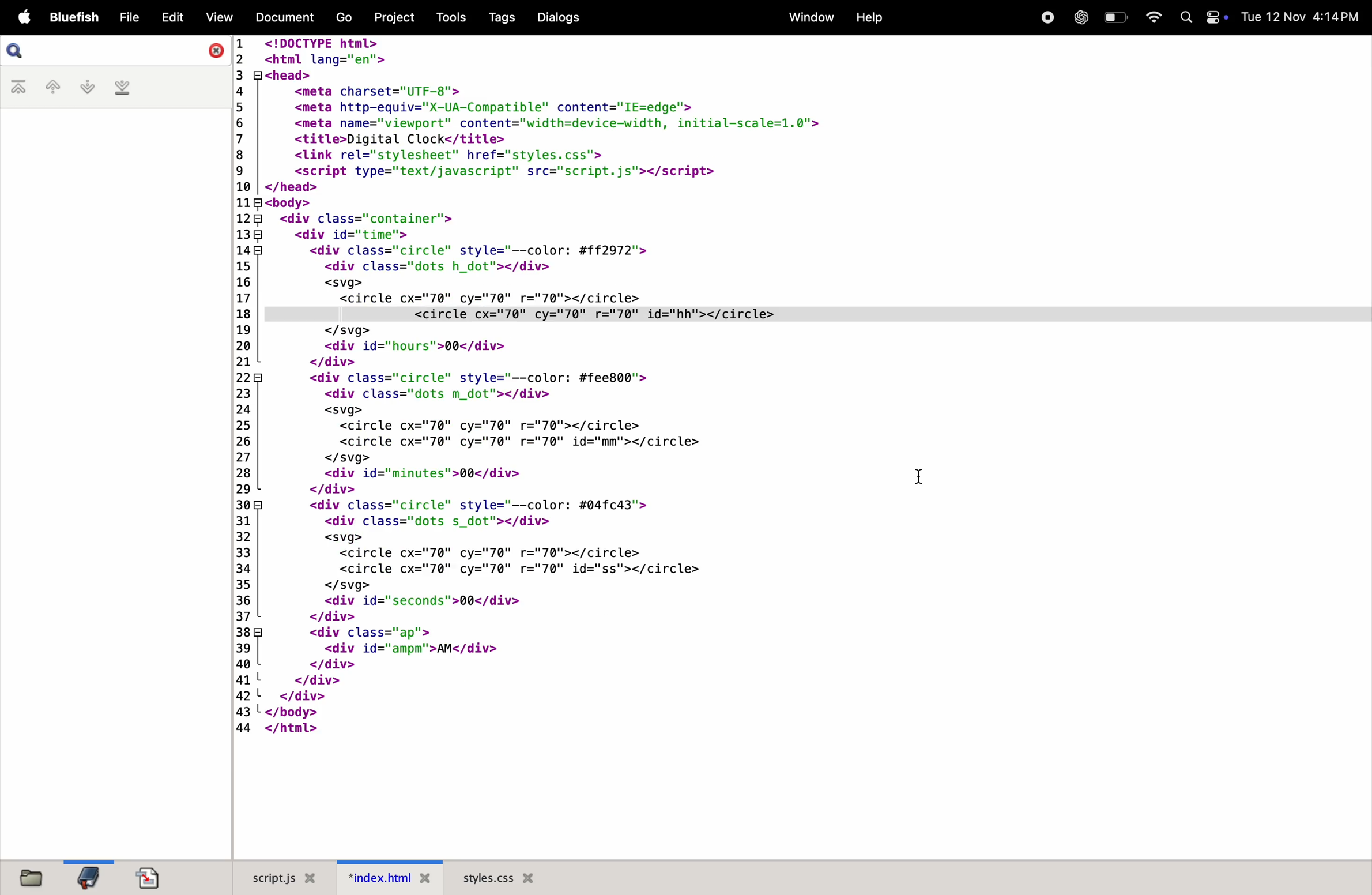 The height and width of the screenshot is (895, 1372). What do you see at coordinates (342, 18) in the screenshot?
I see `go` at bounding box center [342, 18].